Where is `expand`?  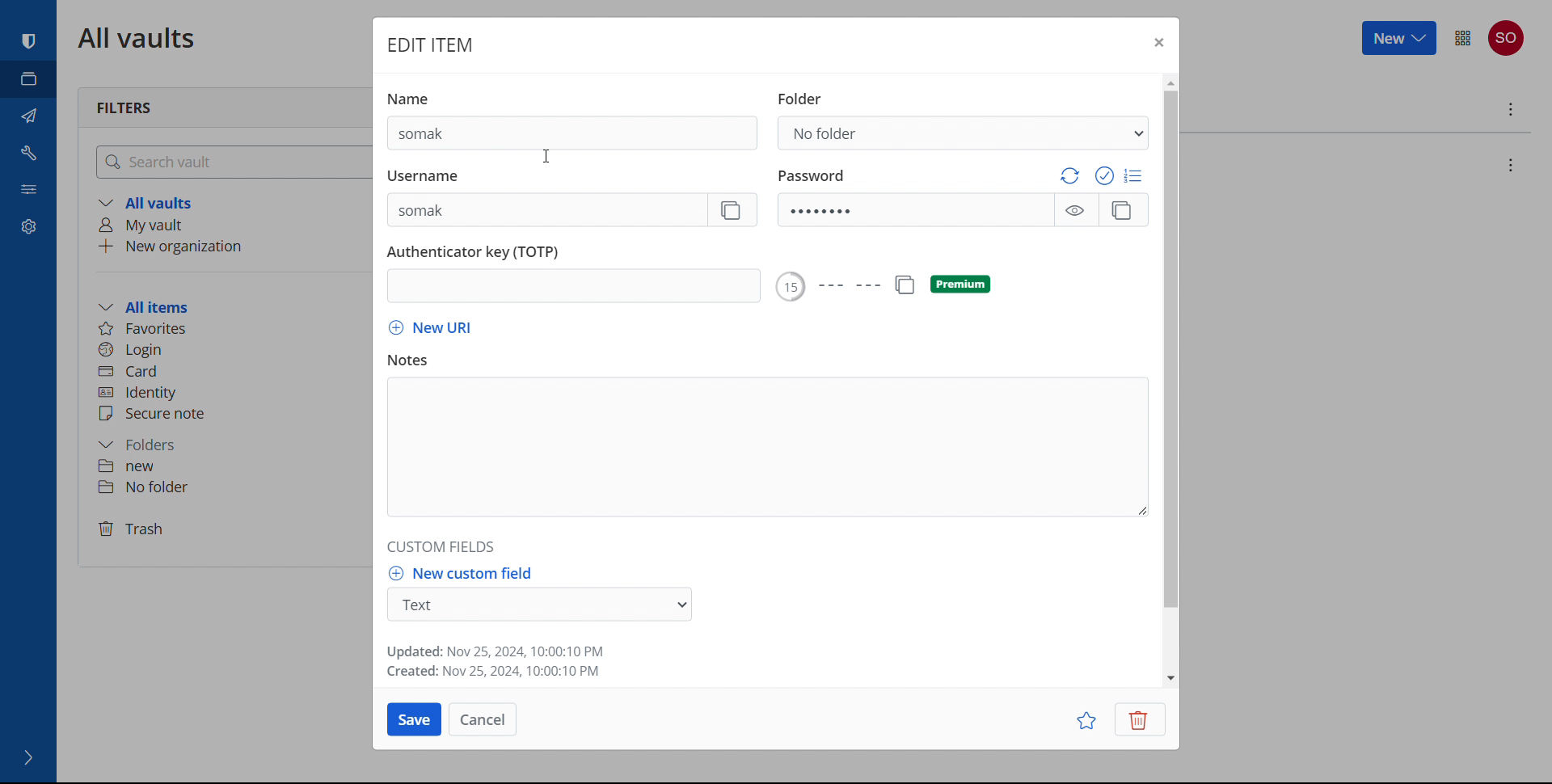
expand is located at coordinates (29, 758).